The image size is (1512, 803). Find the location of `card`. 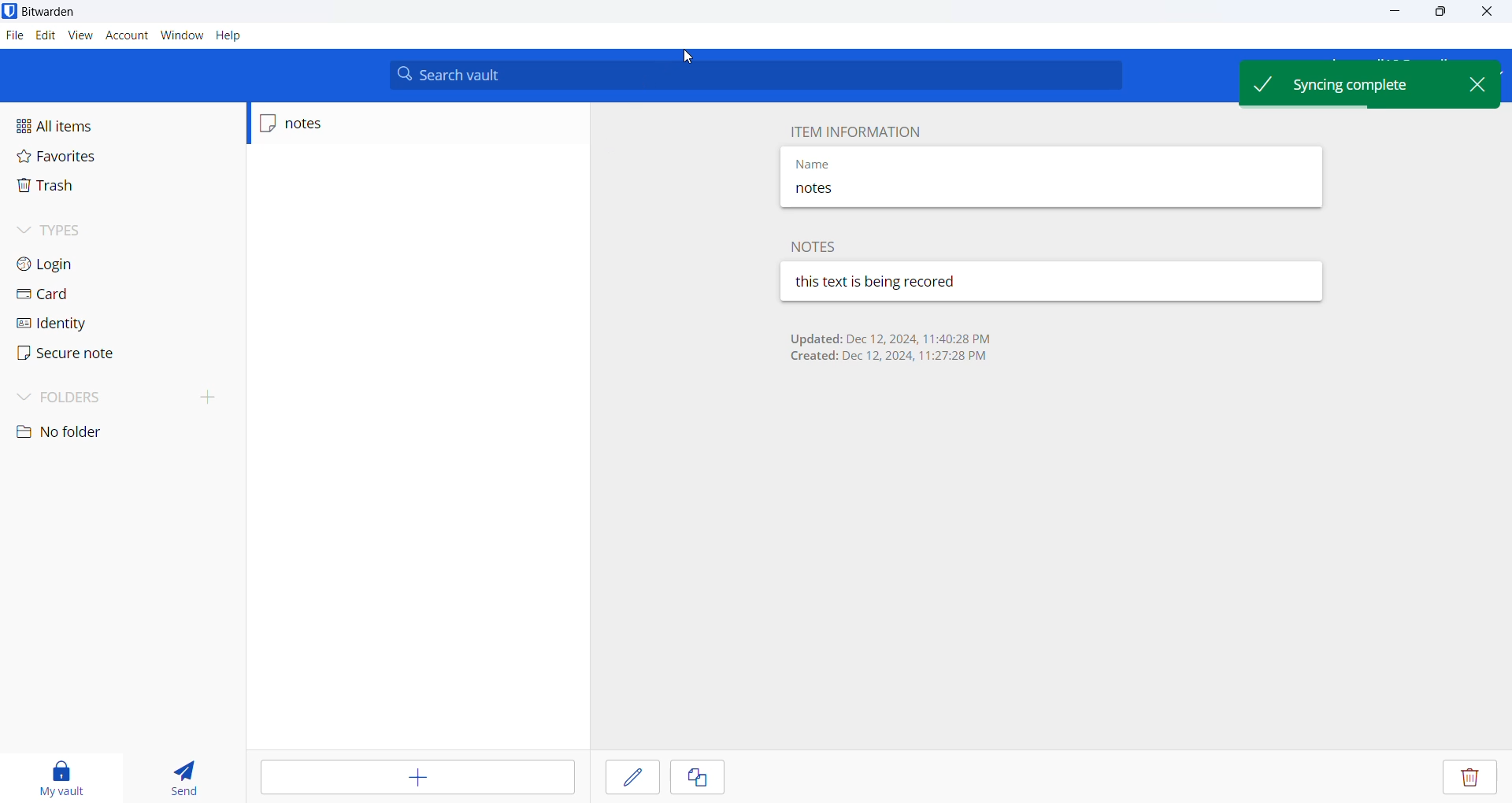

card is located at coordinates (69, 298).